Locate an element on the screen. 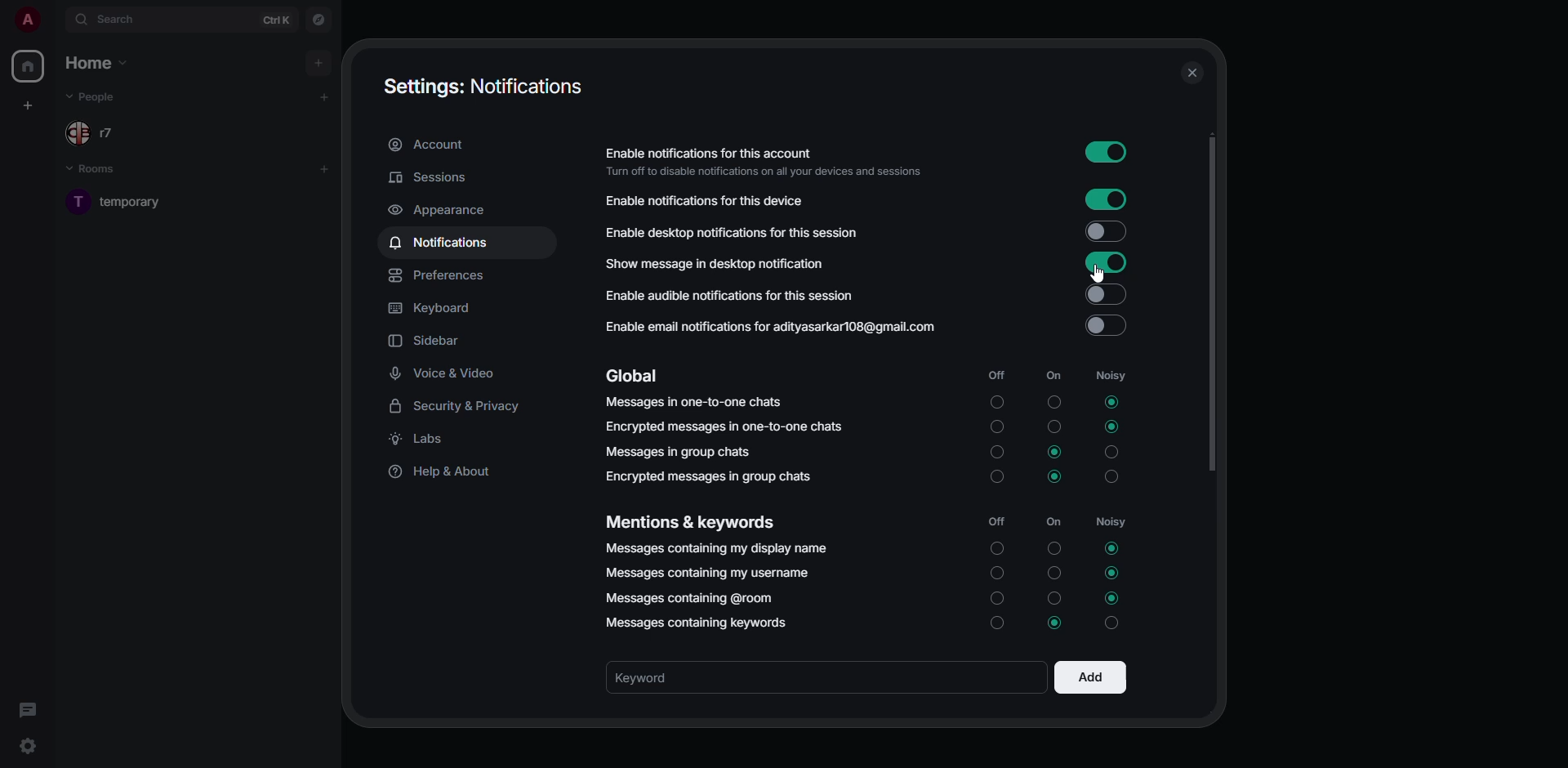 Image resolution: width=1568 pixels, height=768 pixels. appearance is located at coordinates (441, 209).